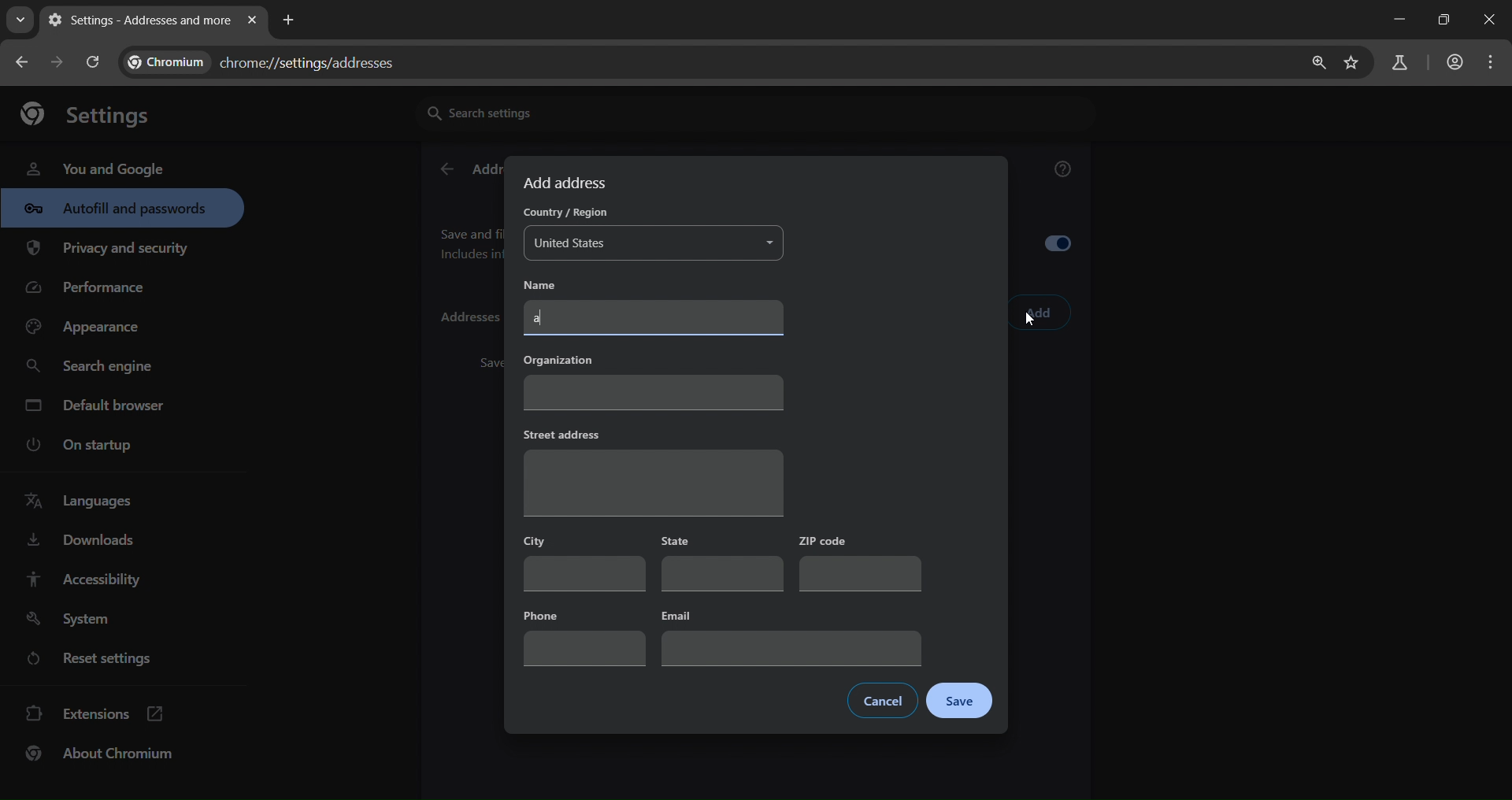 The width and height of the screenshot is (1512, 800). I want to click on name, so click(552, 284).